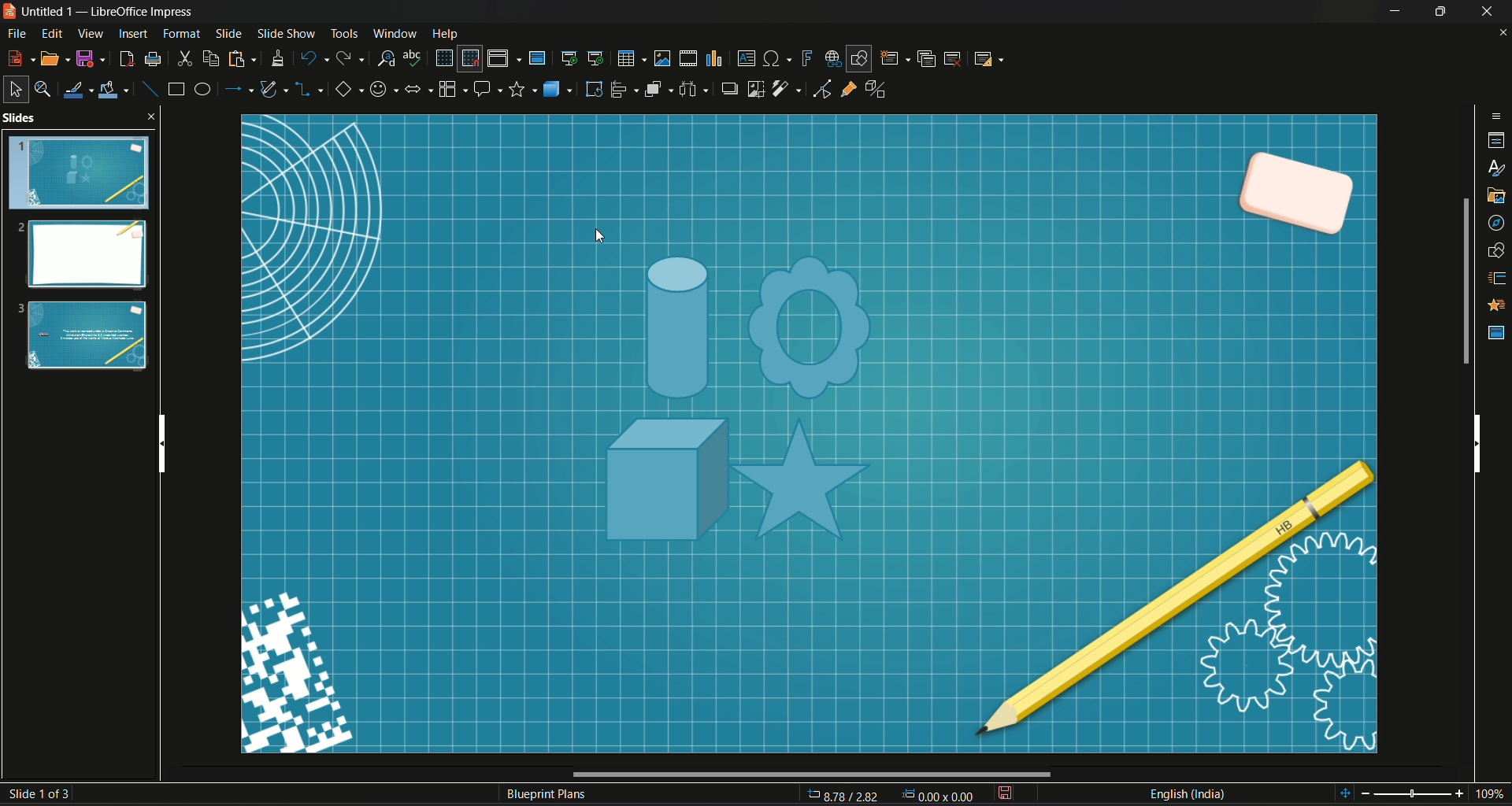  What do you see at coordinates (987, 58) in the screenshot?
I see `slide layout` at bounding box center [987, 58].